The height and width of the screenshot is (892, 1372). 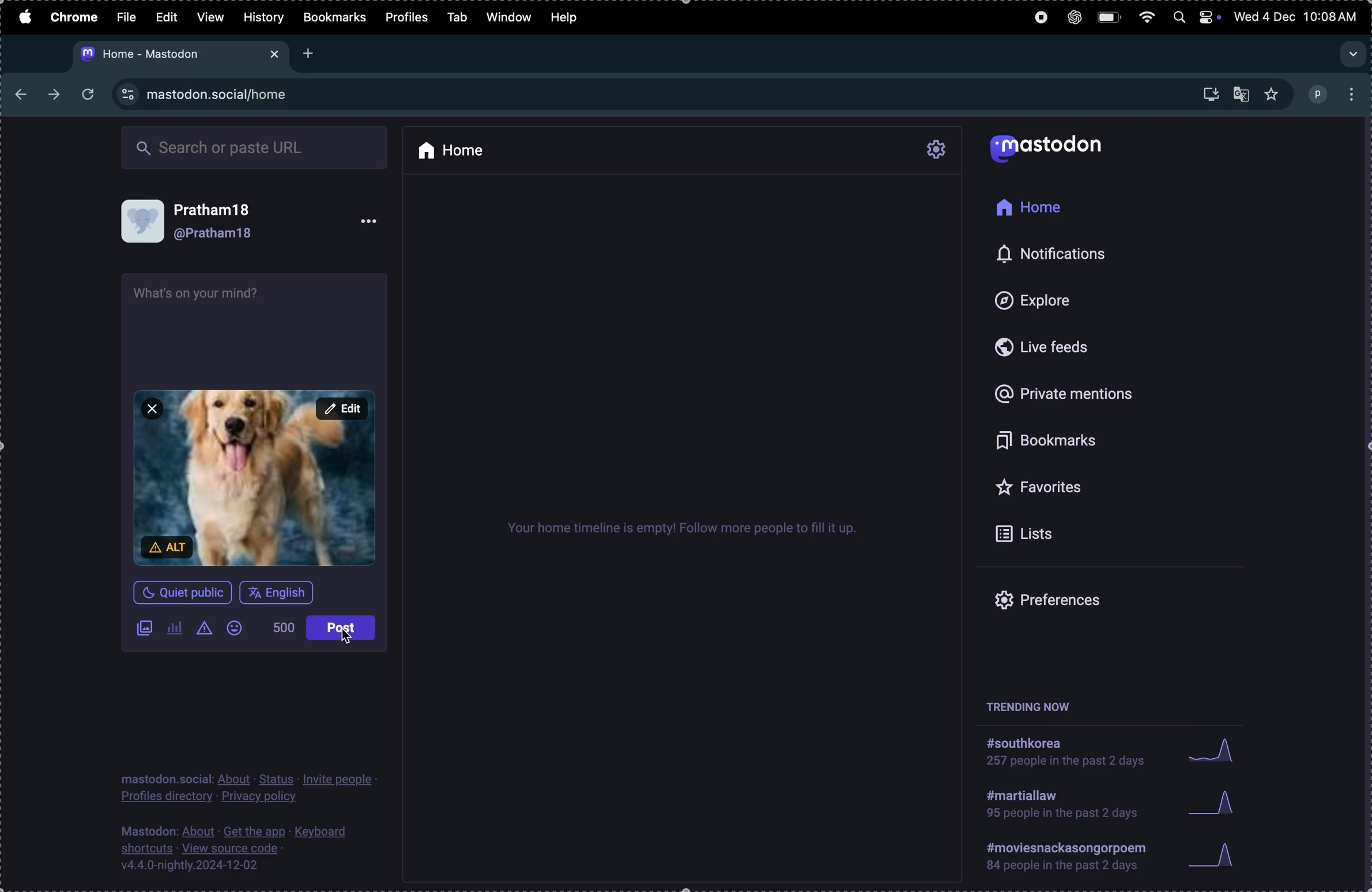 I want to click on logo, so click(x=1055, y=149).